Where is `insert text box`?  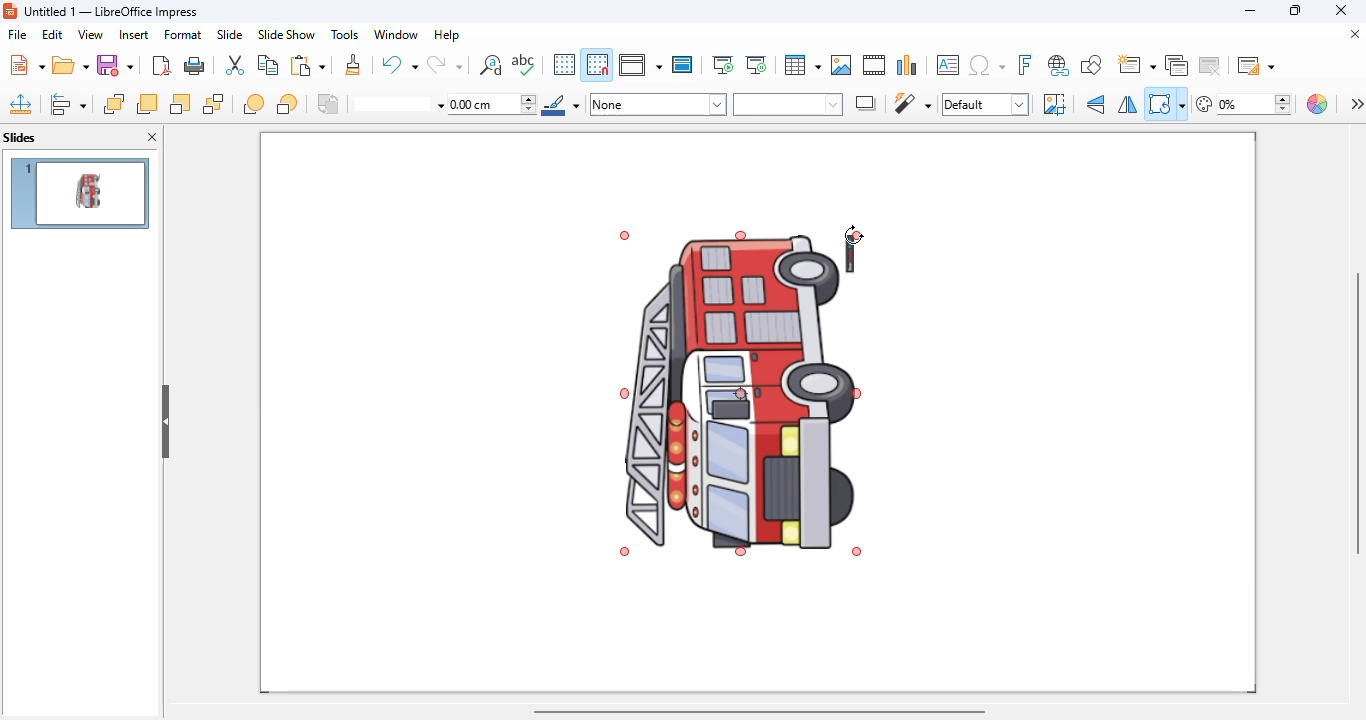
insert text box is located at coordinates (947, 65).